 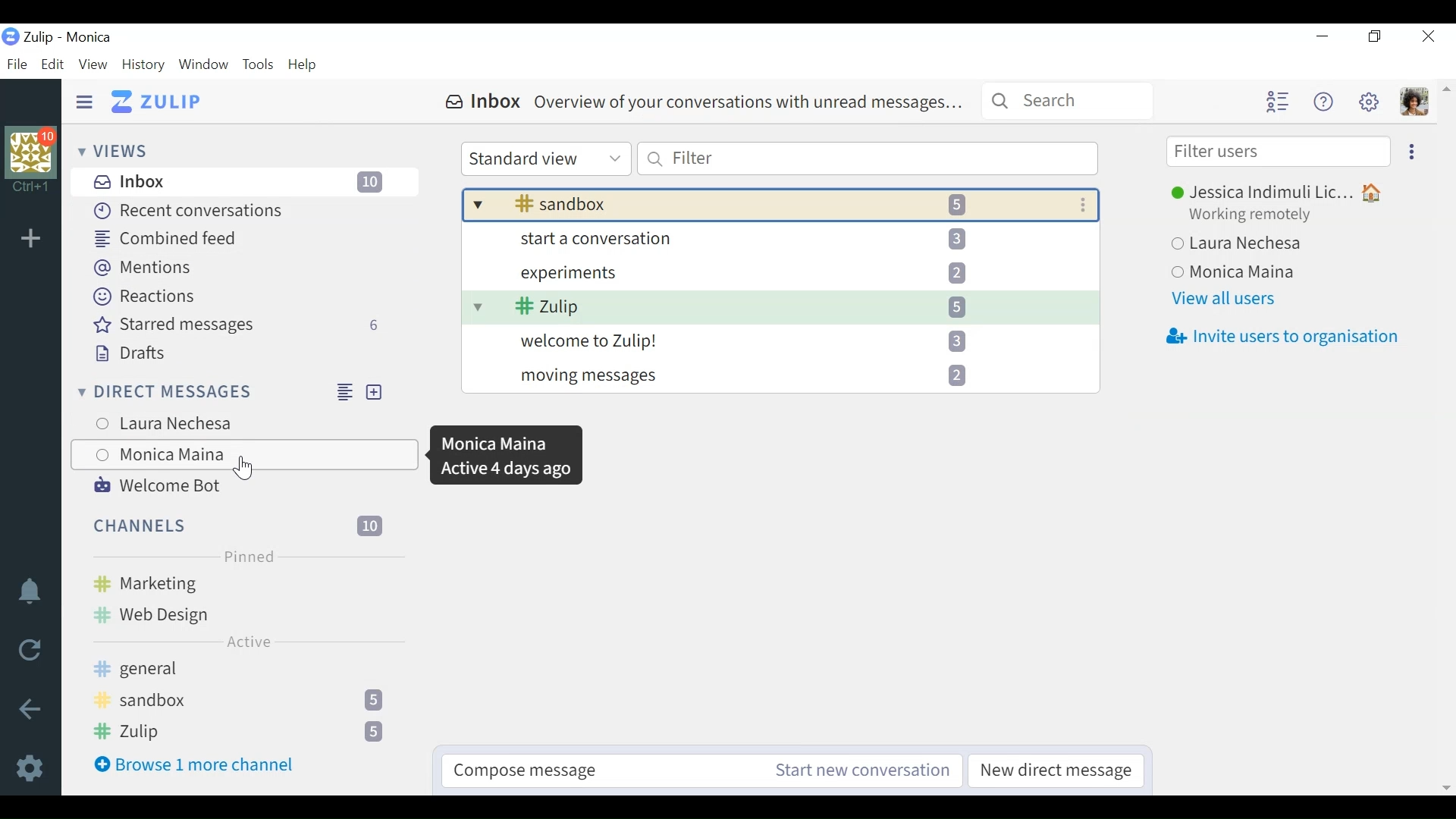 What do you see at coordinates (243, 181) in the screenshot?
I see `Inbox` at bounding box center [243, 181].